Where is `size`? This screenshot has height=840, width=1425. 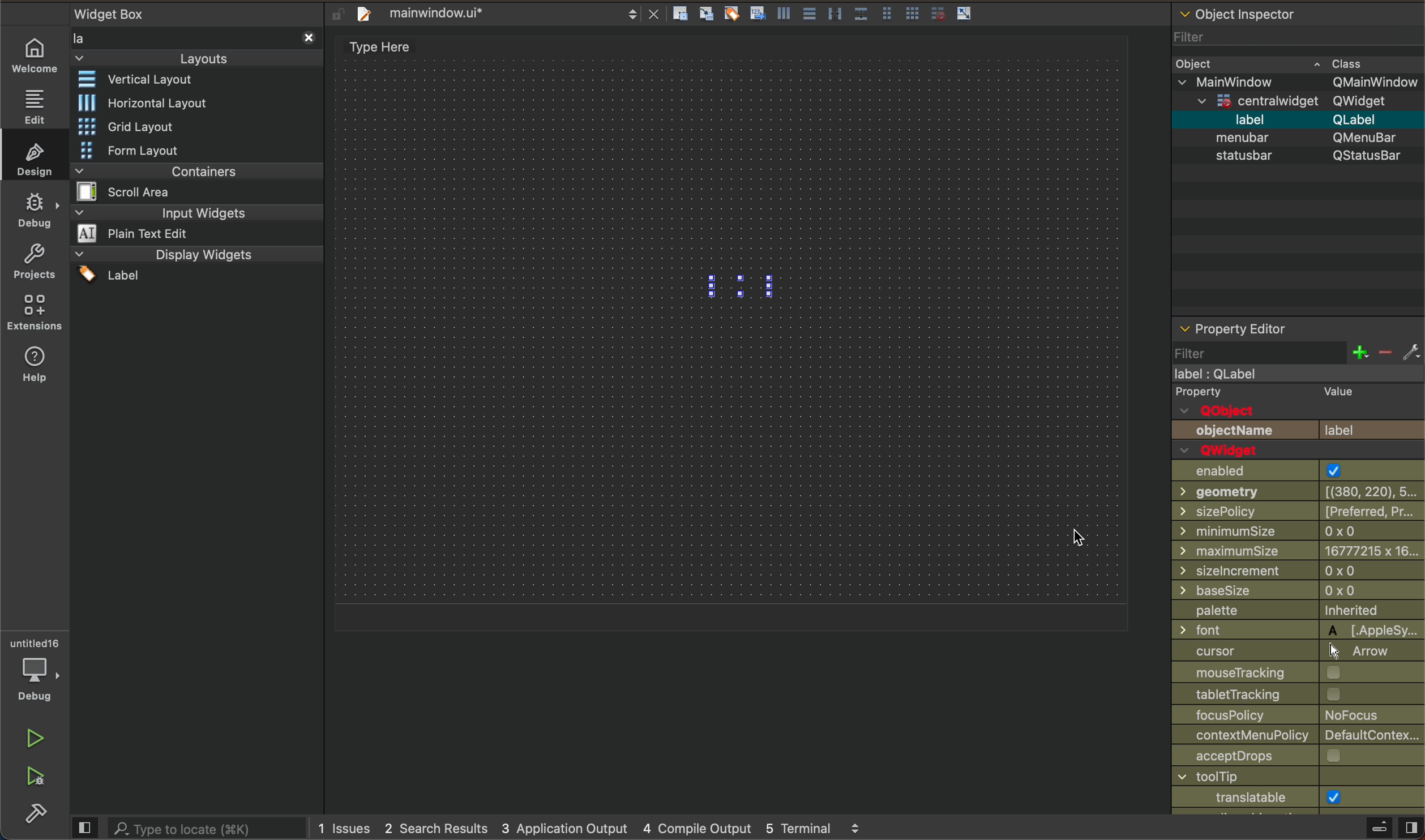 size is located at coordinates (1287, 533).